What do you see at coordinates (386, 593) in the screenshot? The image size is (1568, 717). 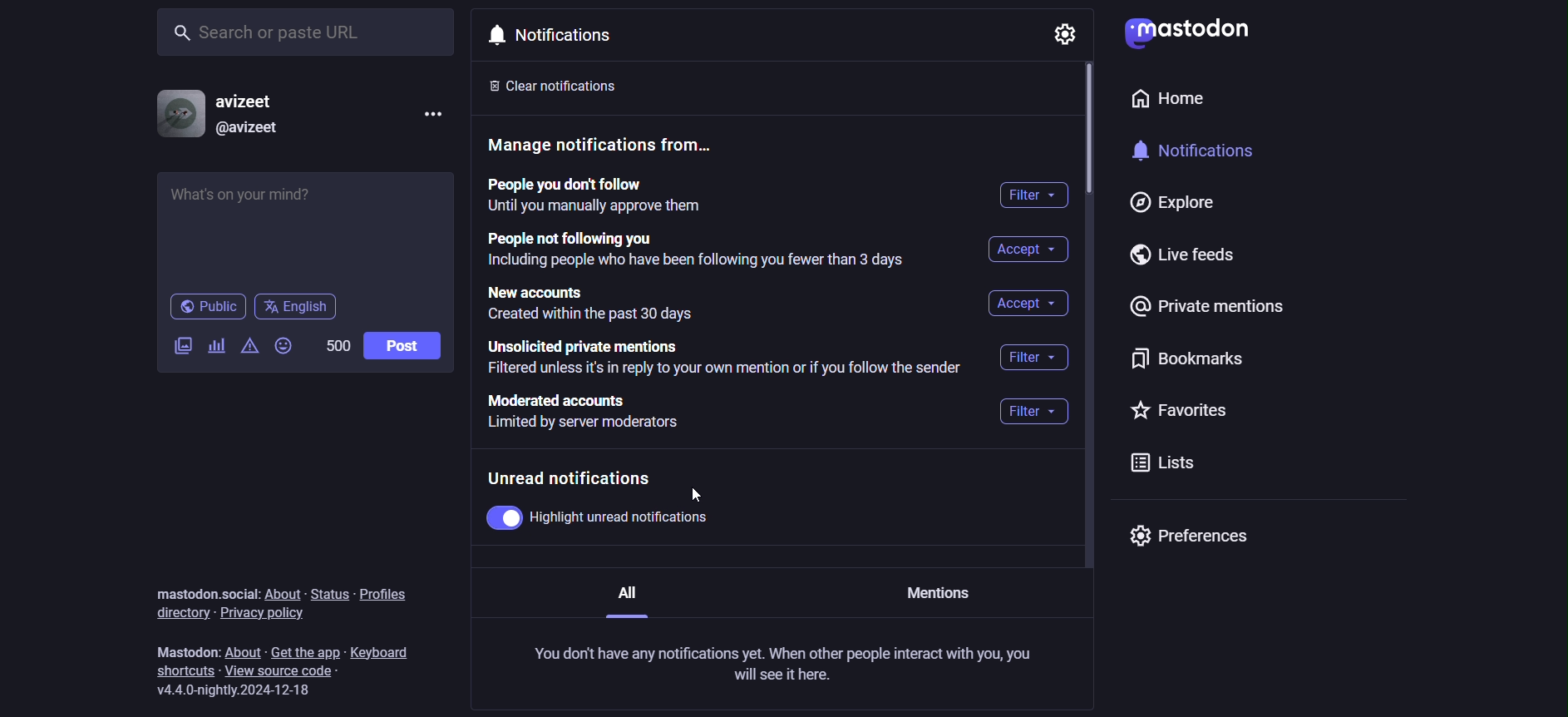 I see `profiles` at bounding box center [386, 593].